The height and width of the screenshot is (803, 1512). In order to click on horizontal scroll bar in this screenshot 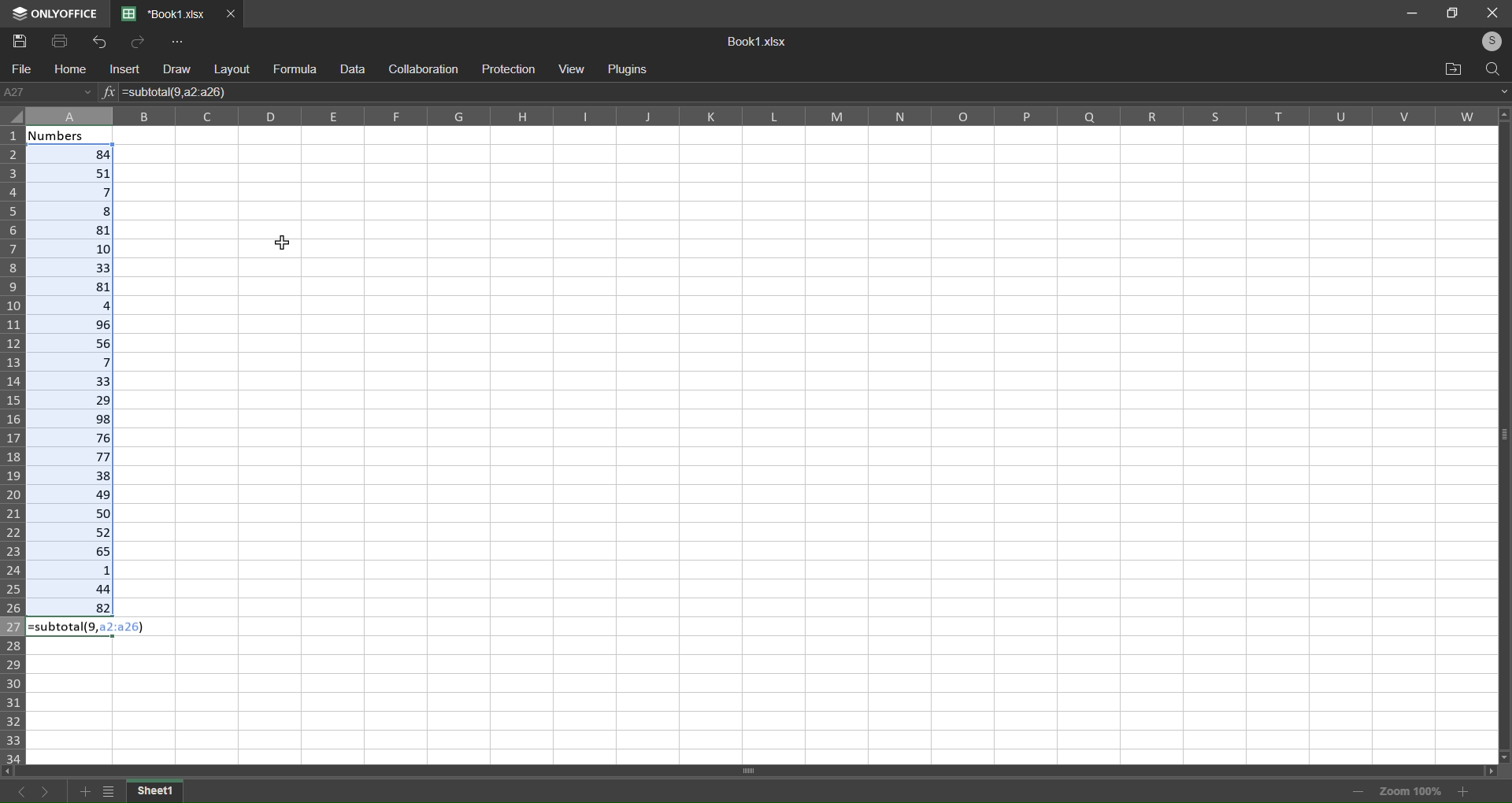, I will do `click(752, 770)`.